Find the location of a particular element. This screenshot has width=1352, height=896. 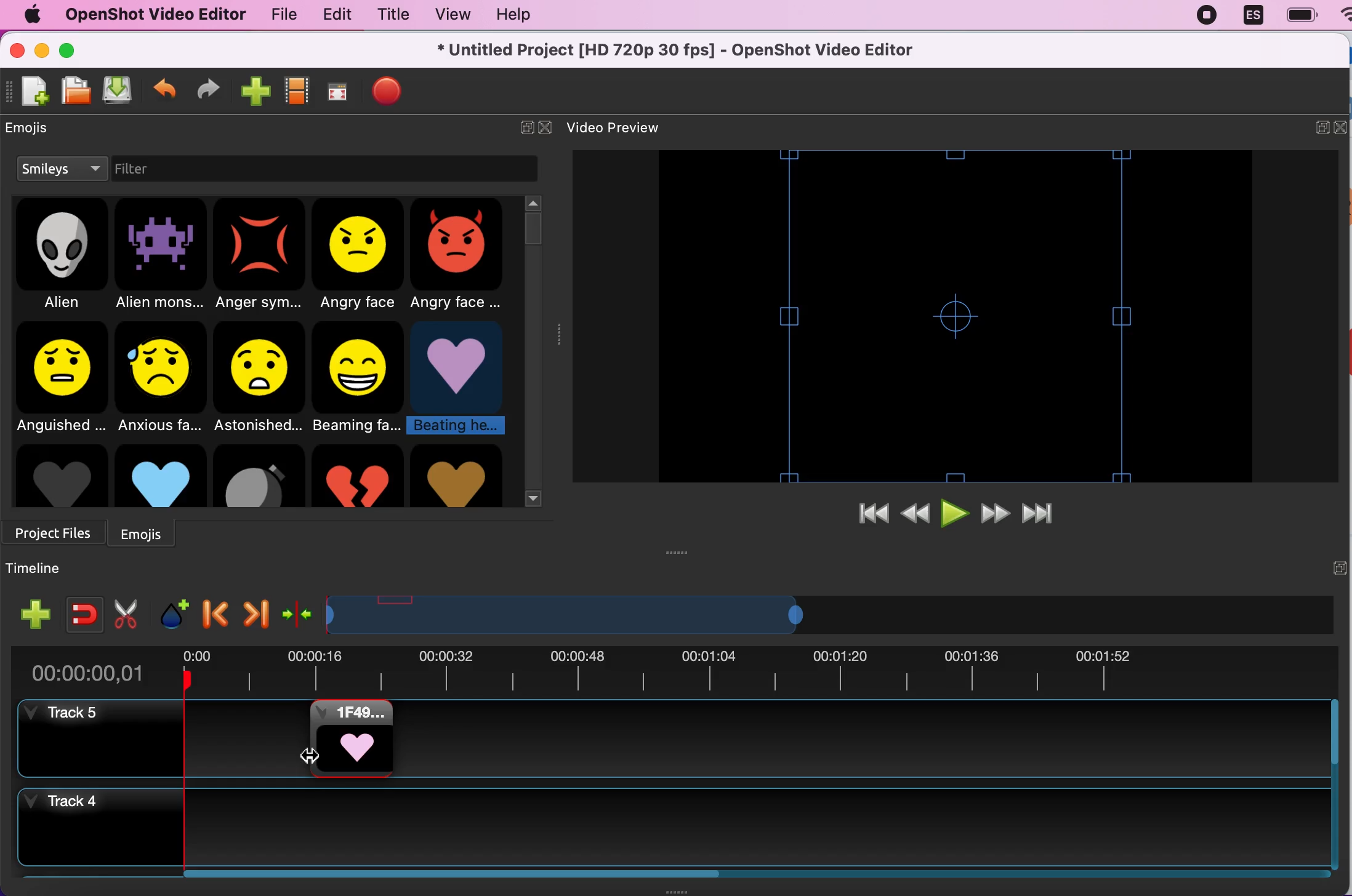

close is located at coordinates (549, 124).